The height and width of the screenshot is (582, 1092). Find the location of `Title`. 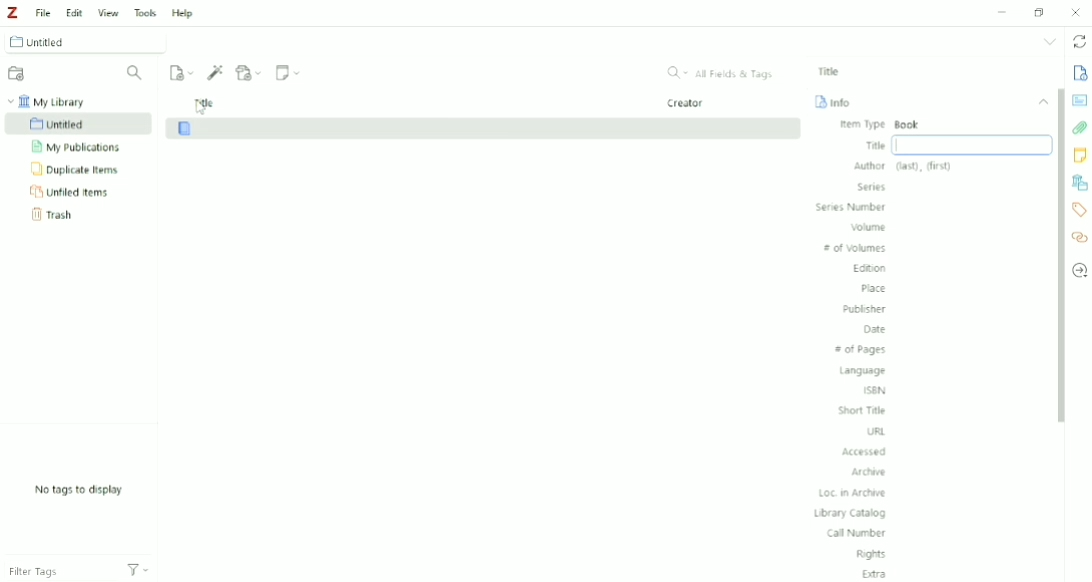

Title is located at coordinates (832, 71).